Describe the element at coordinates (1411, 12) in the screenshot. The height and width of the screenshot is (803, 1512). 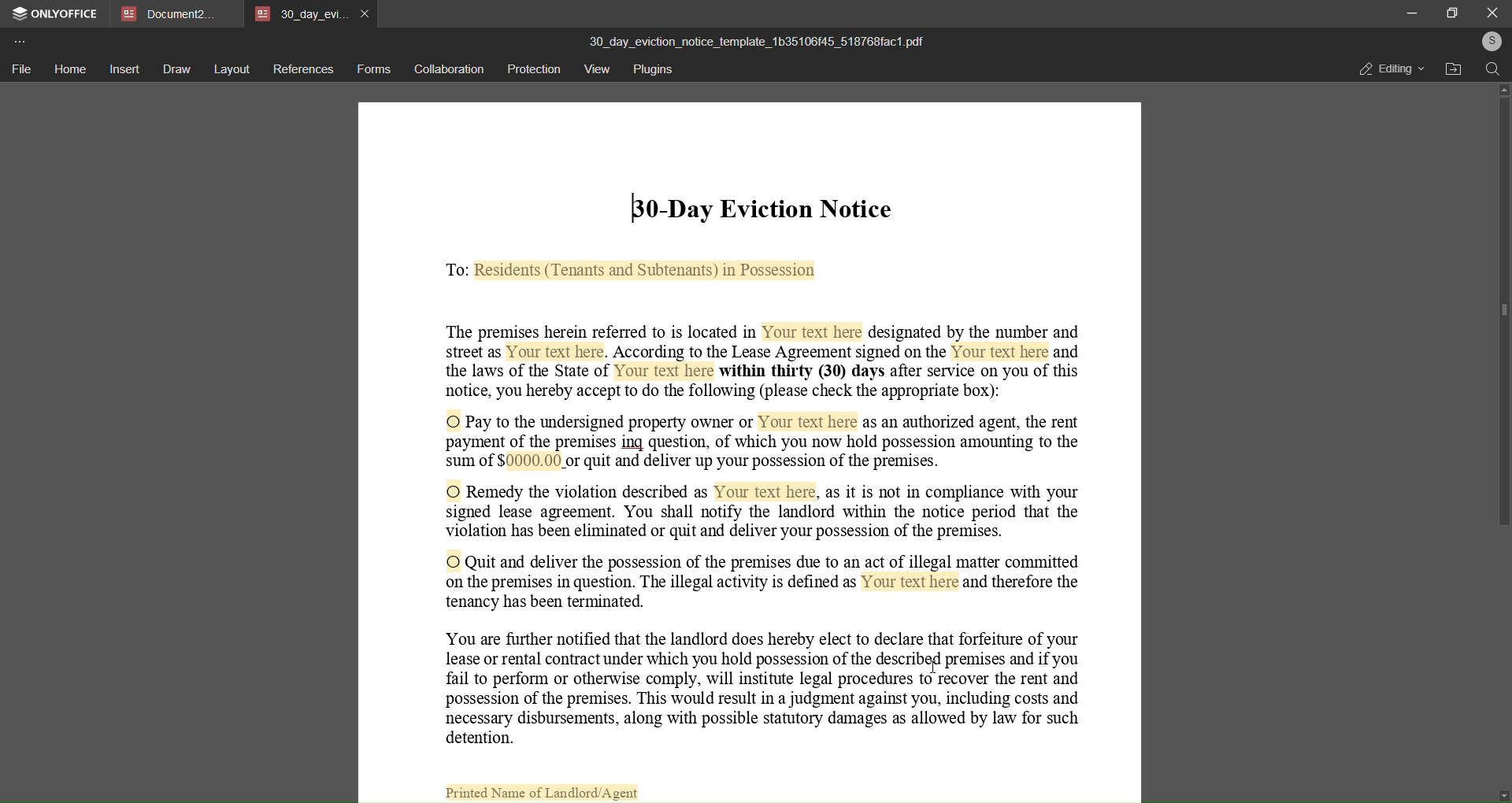
I see `minimize` at that location.